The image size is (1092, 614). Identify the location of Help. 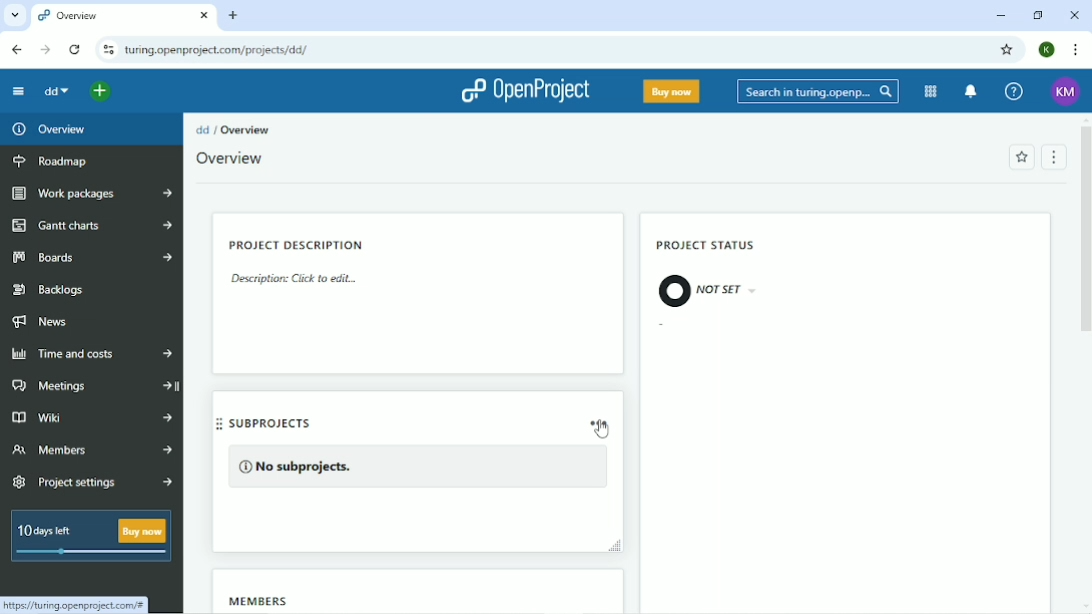
(1014, 92).